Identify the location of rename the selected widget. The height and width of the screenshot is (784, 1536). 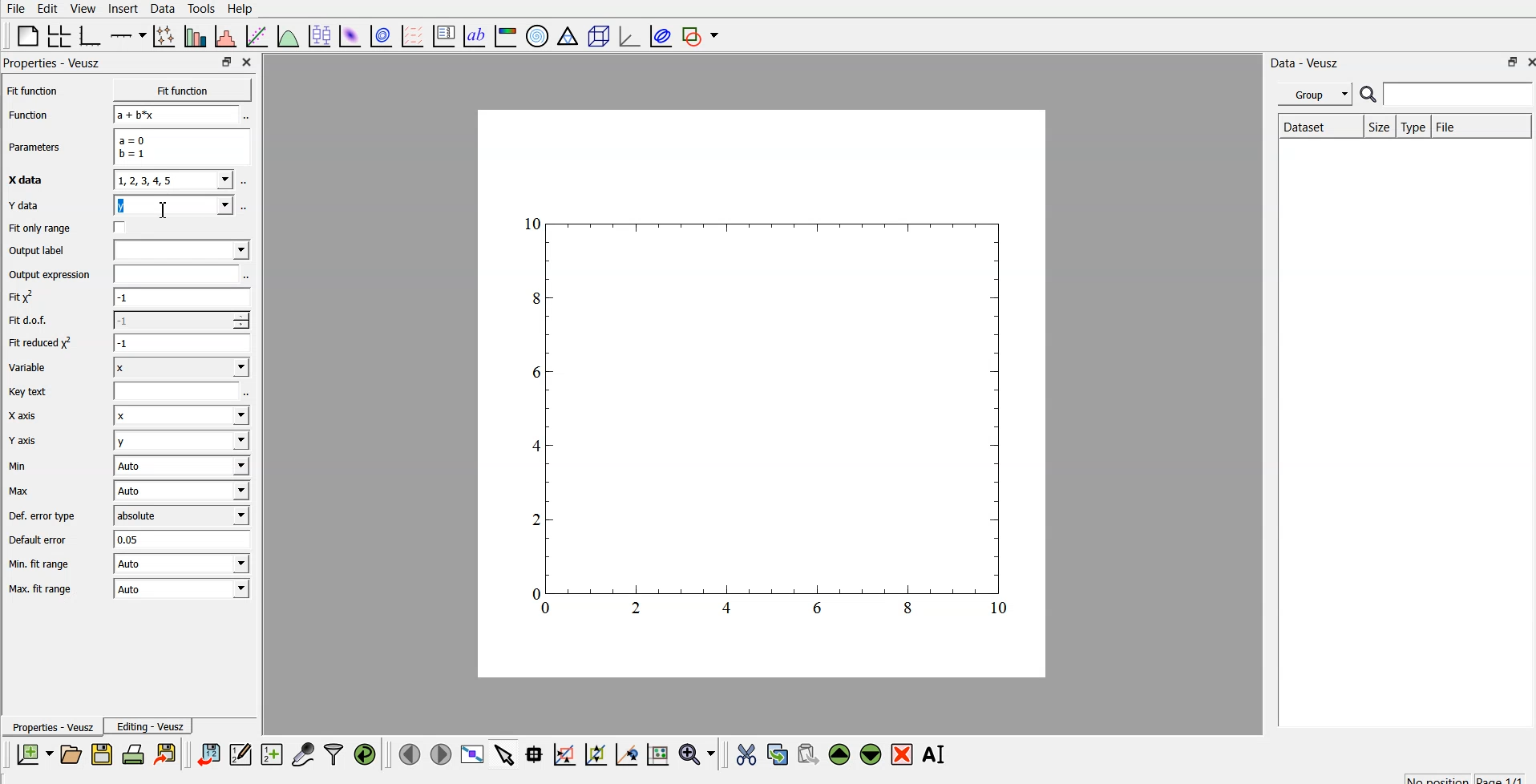
(938, 754).